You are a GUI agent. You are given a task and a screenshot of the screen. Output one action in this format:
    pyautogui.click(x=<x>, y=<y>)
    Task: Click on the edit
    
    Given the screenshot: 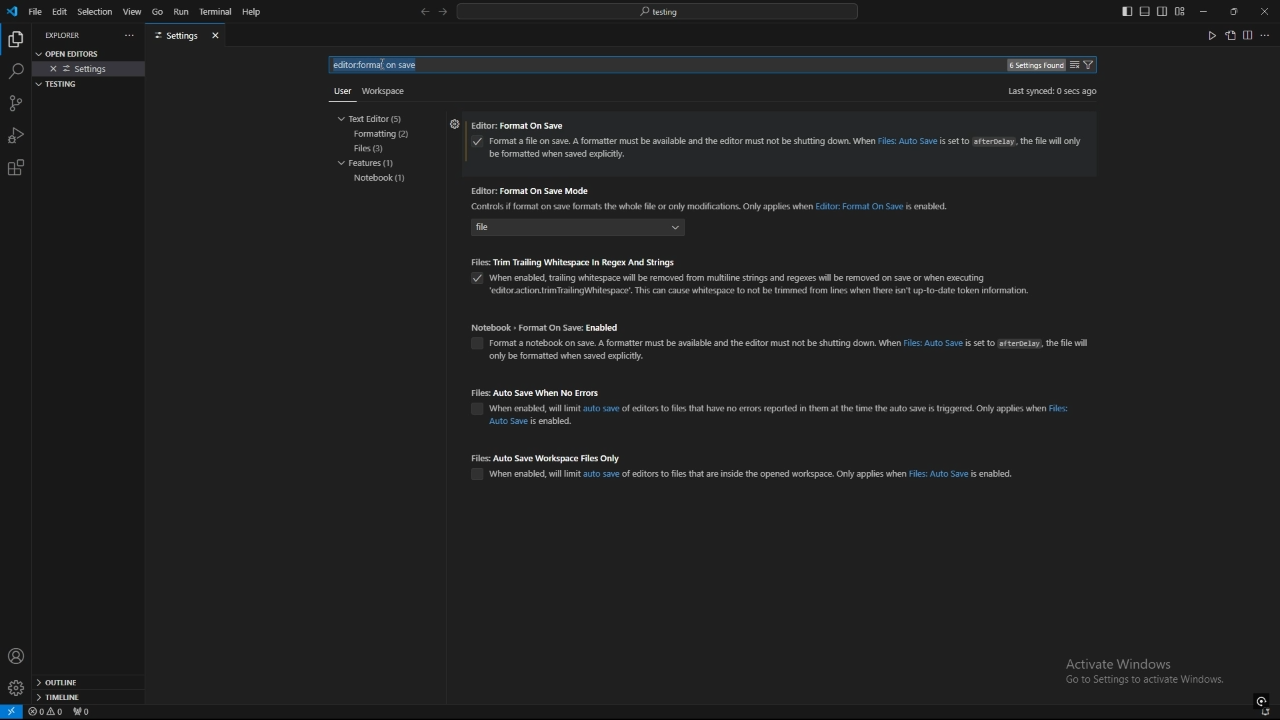 What is the action you would take?
    pyautogui.click(x=60, y=11)
    